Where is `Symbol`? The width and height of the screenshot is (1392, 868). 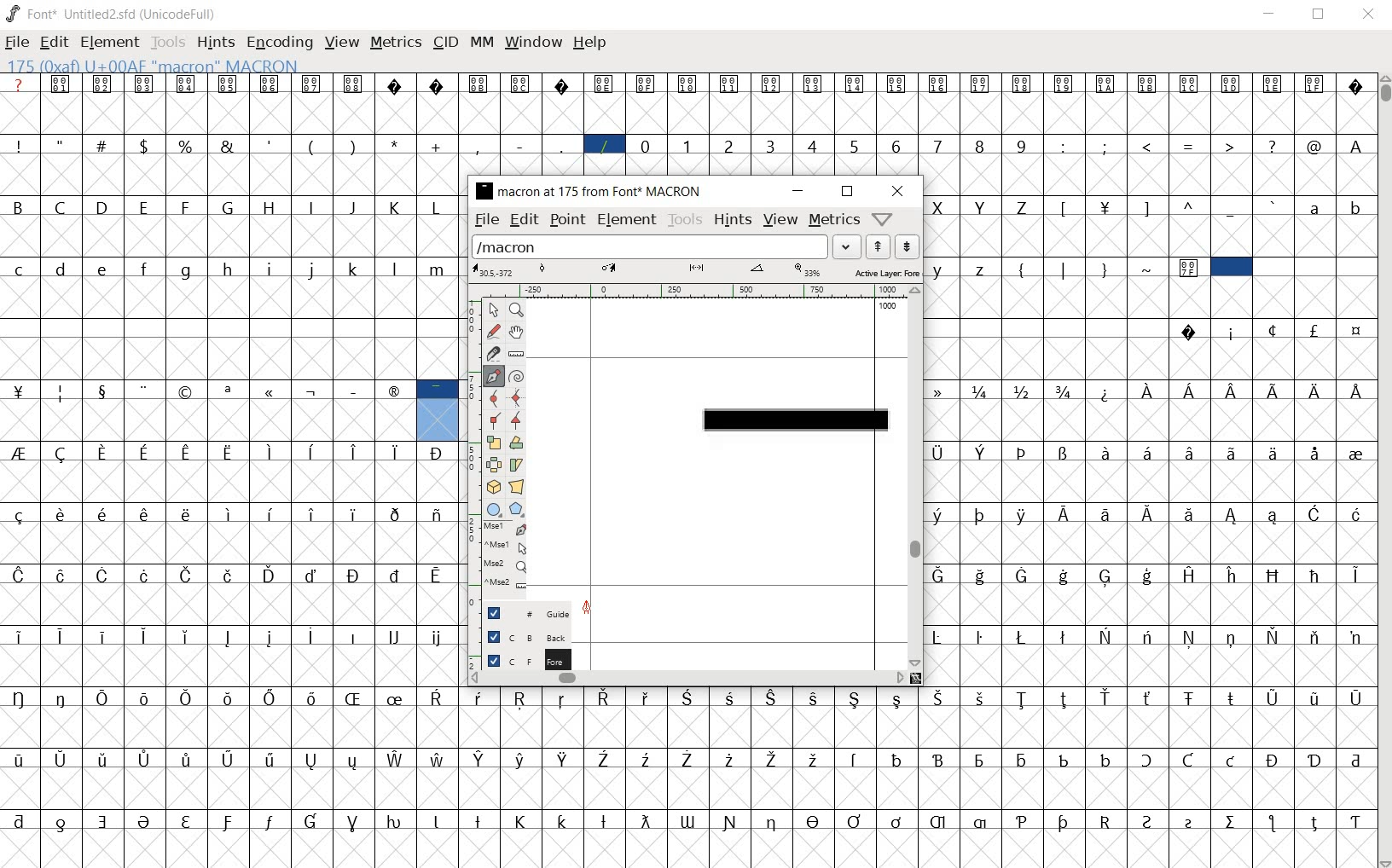
Symbol is located at coordinates (1231, 267).